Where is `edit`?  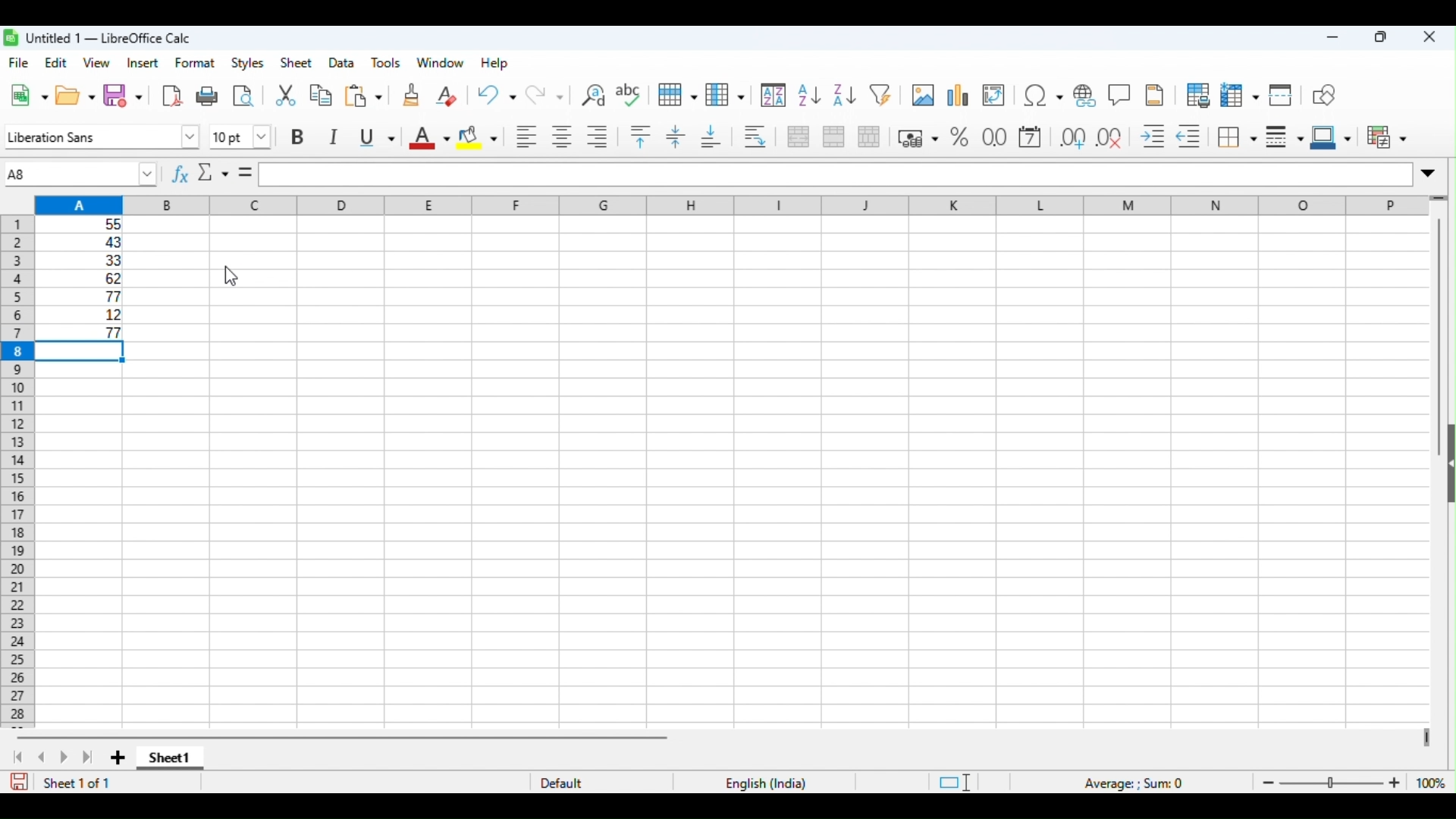 edit is located at coordinates (55, 62).